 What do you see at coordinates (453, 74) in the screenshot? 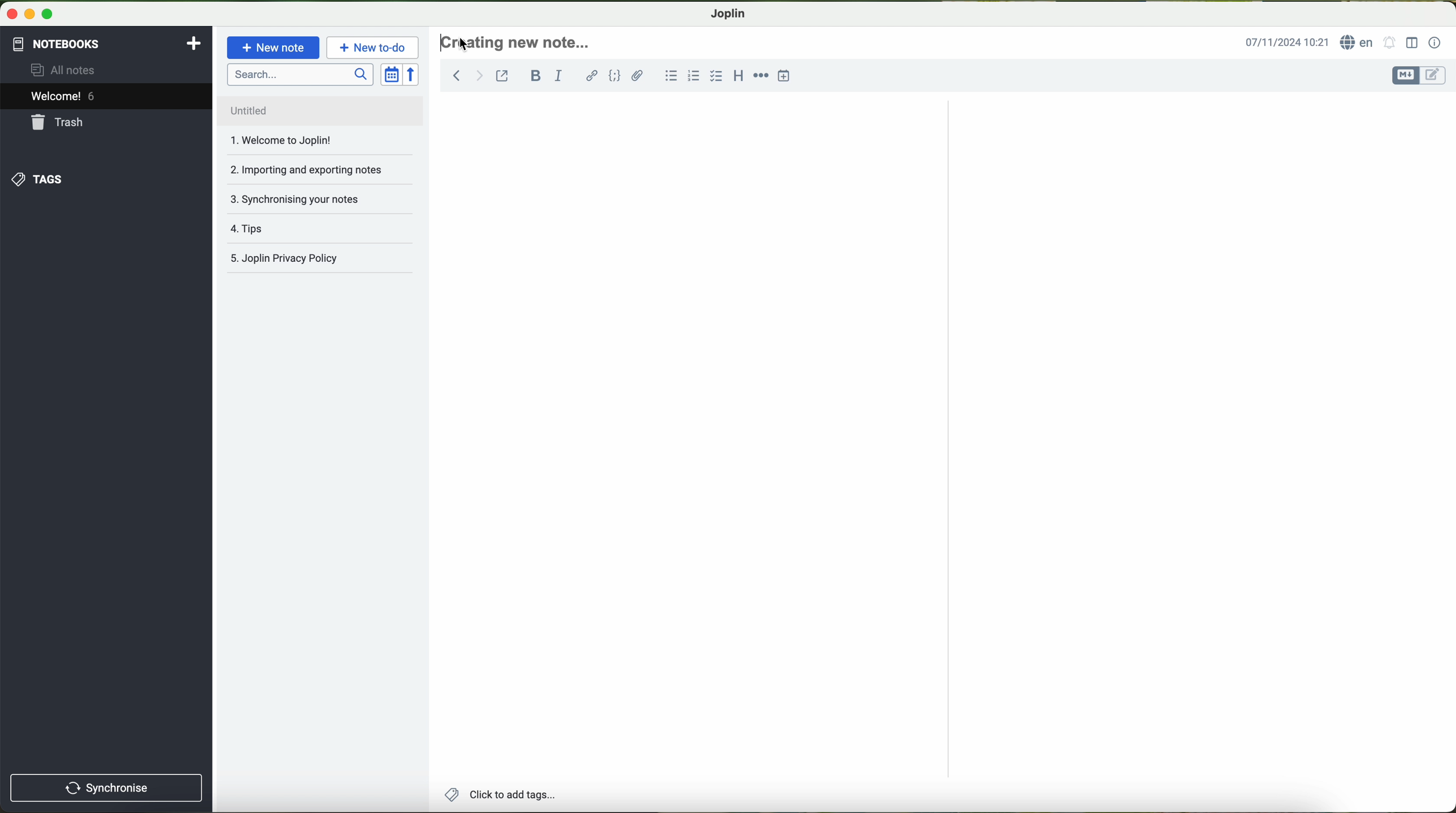
I see `back` at bounding box center [453, 74].